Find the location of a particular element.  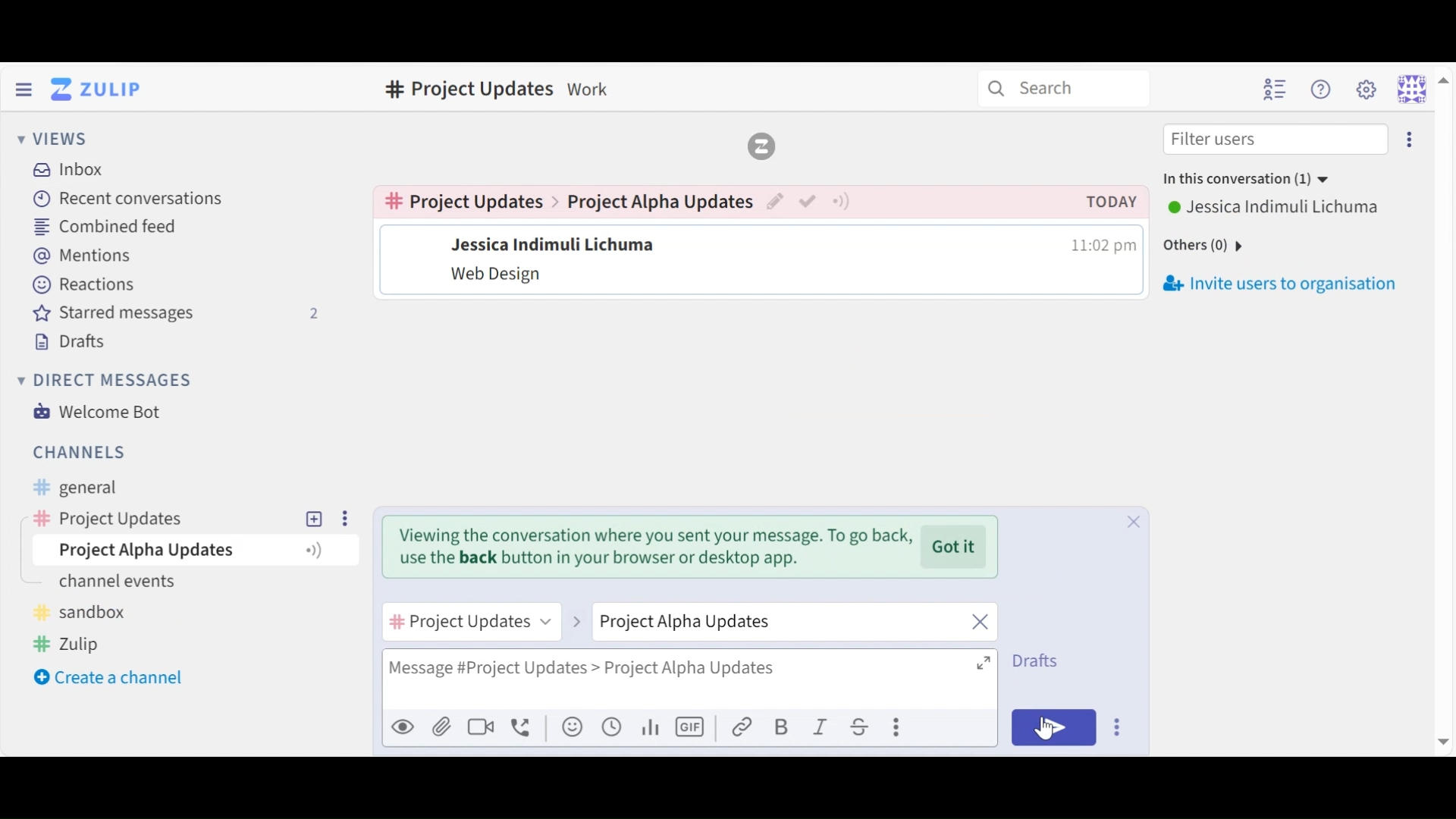

Channel is located at coordinates (466, 92).